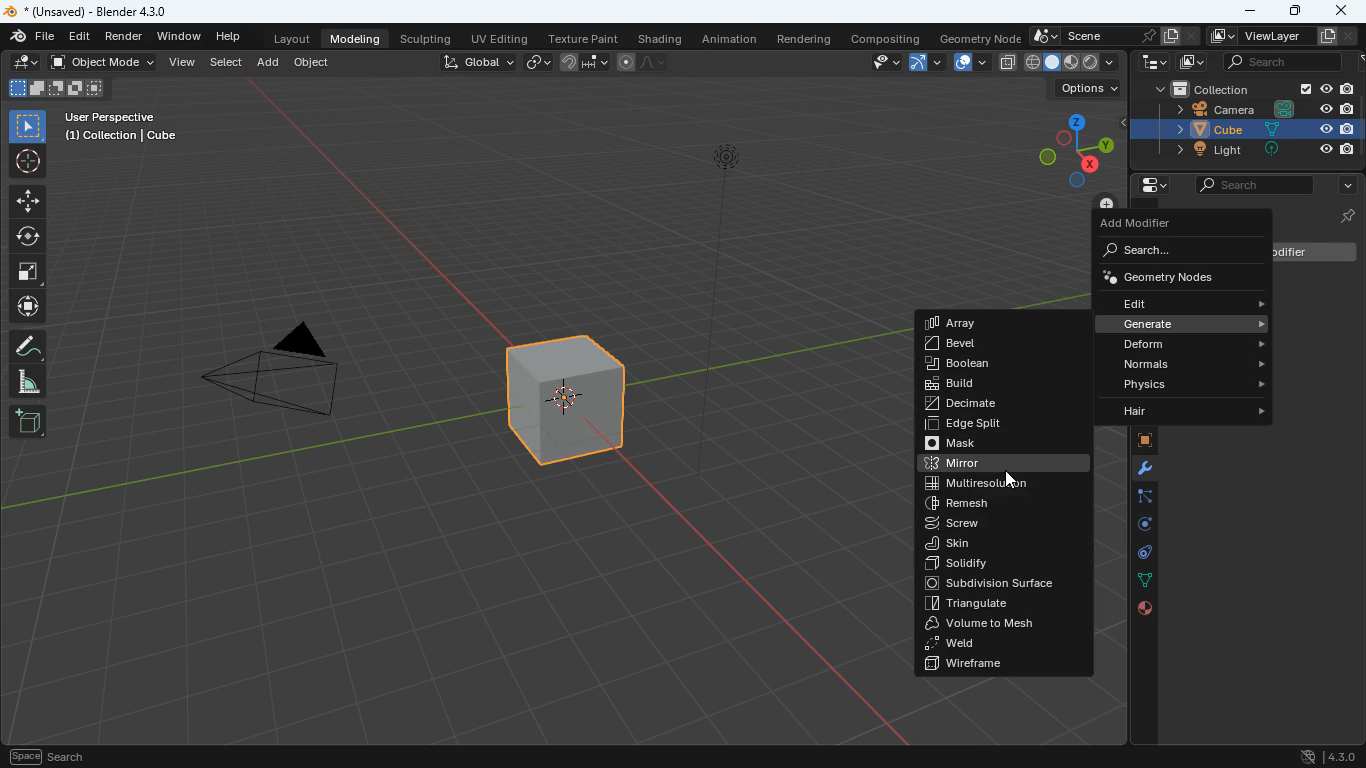  I want to click on more, so click(1342, 186).